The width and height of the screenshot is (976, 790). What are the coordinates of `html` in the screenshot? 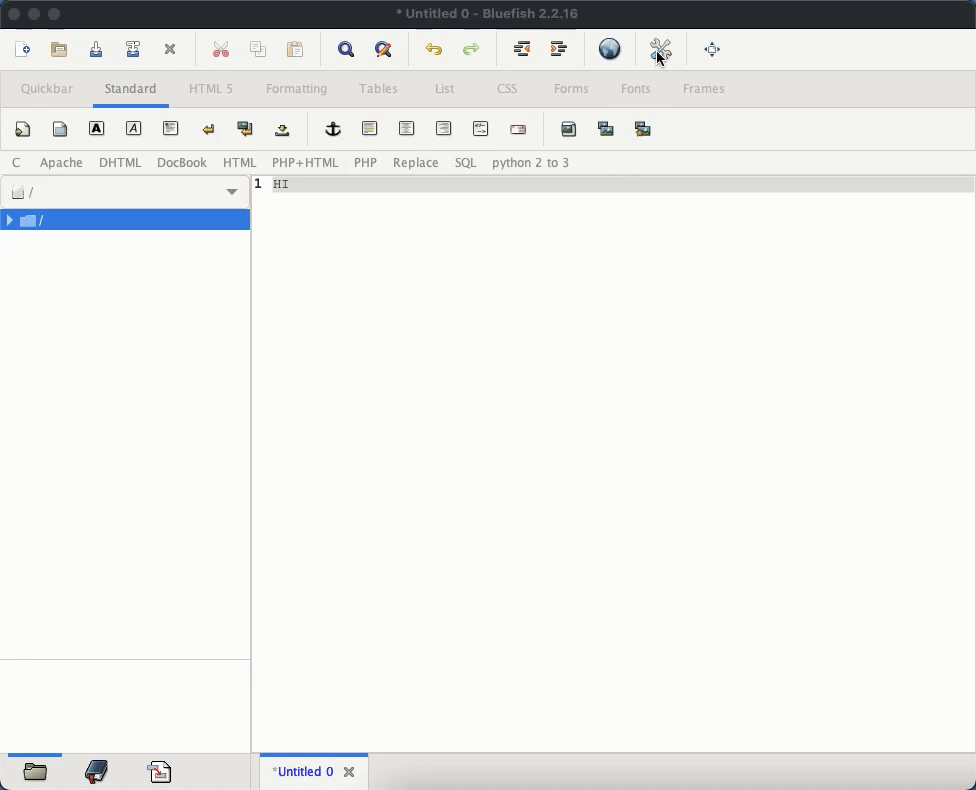 It's located at (120, 162).